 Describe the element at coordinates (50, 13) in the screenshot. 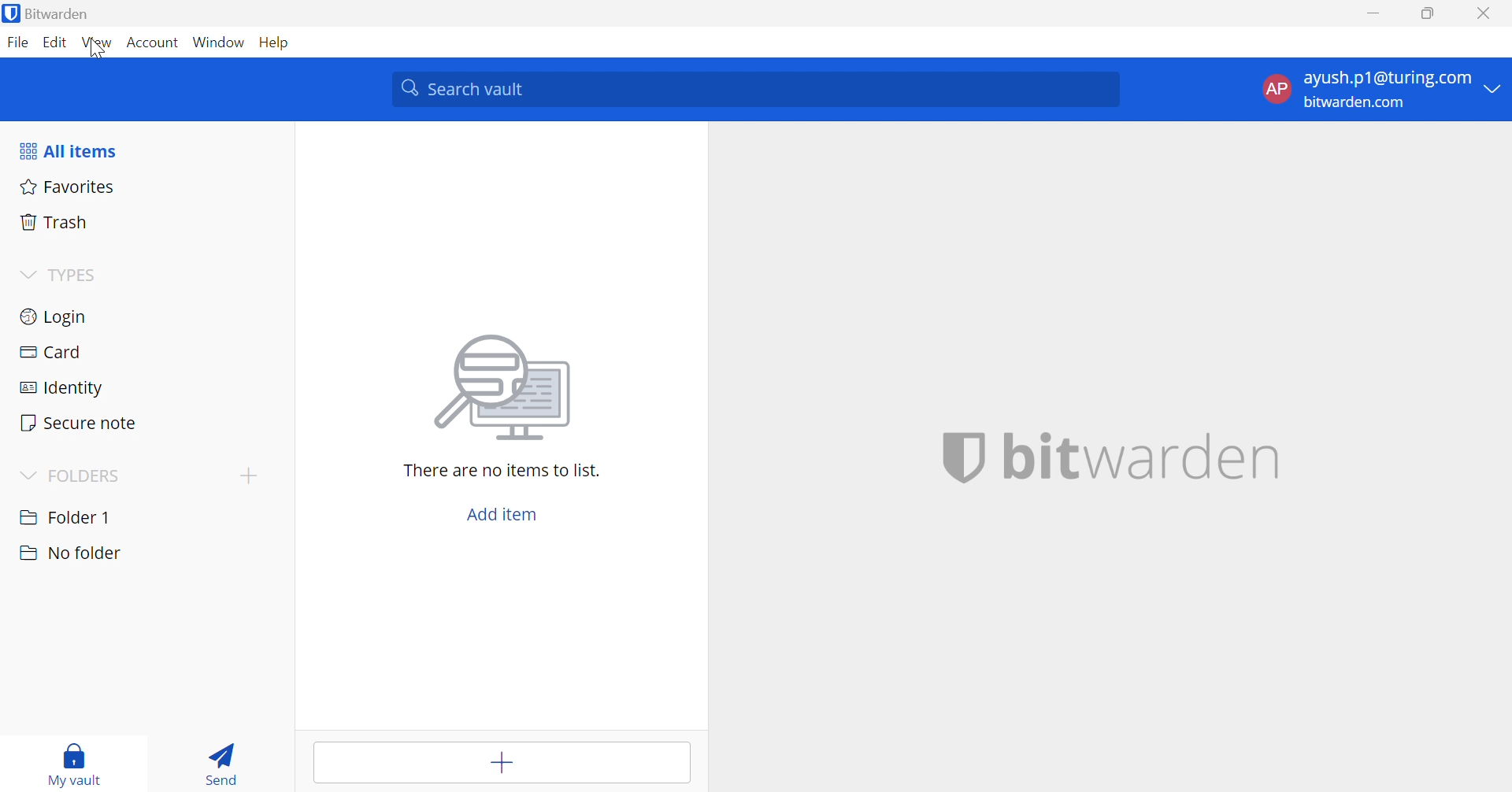

I see `Bitwarden` at that location.